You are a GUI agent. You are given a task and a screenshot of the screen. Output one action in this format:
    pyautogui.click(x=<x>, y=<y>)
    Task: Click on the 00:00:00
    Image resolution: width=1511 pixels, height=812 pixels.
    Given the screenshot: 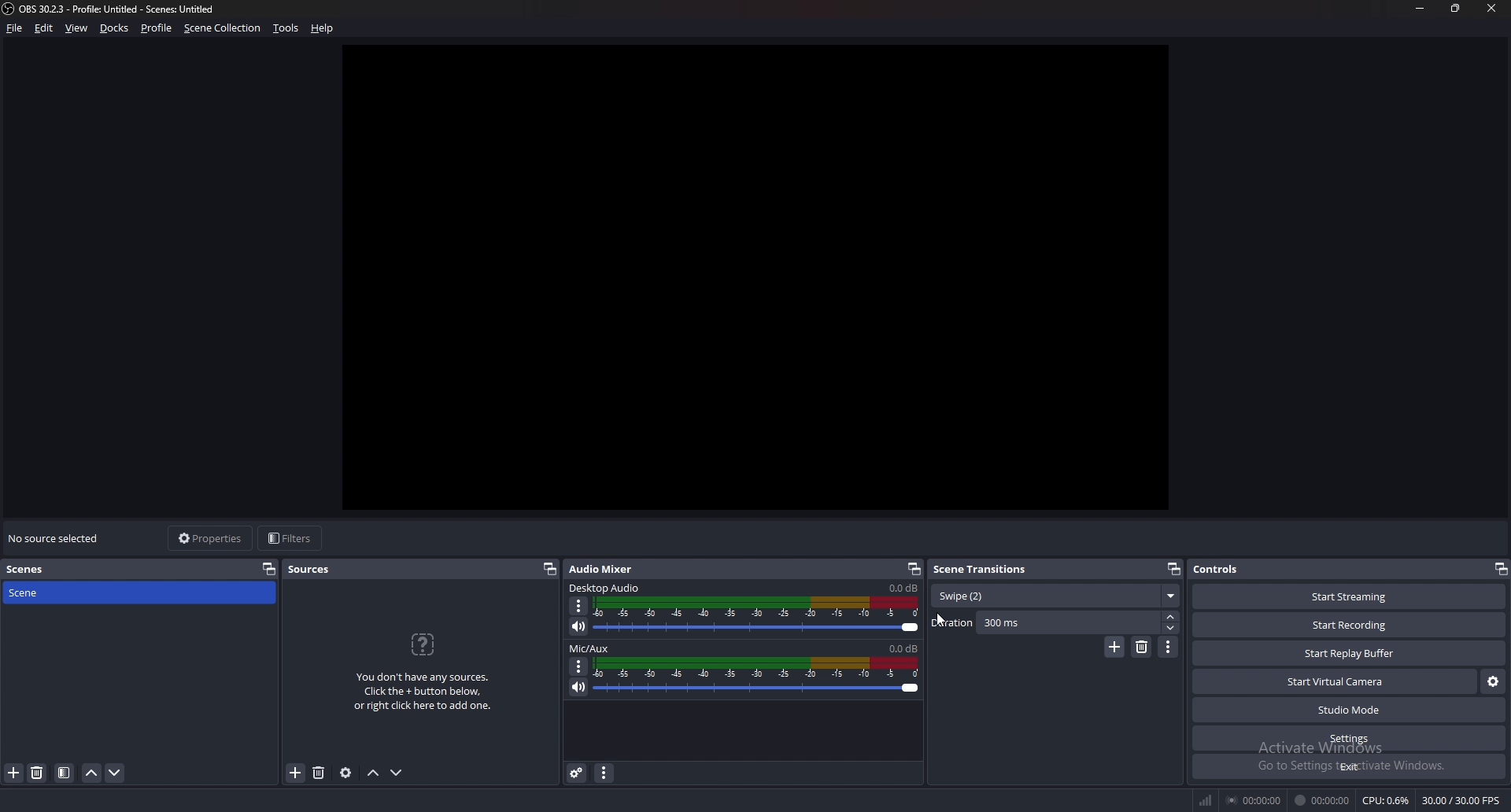 What is the action you would take?
    pyautogui.click(x=1322, y=801)
    